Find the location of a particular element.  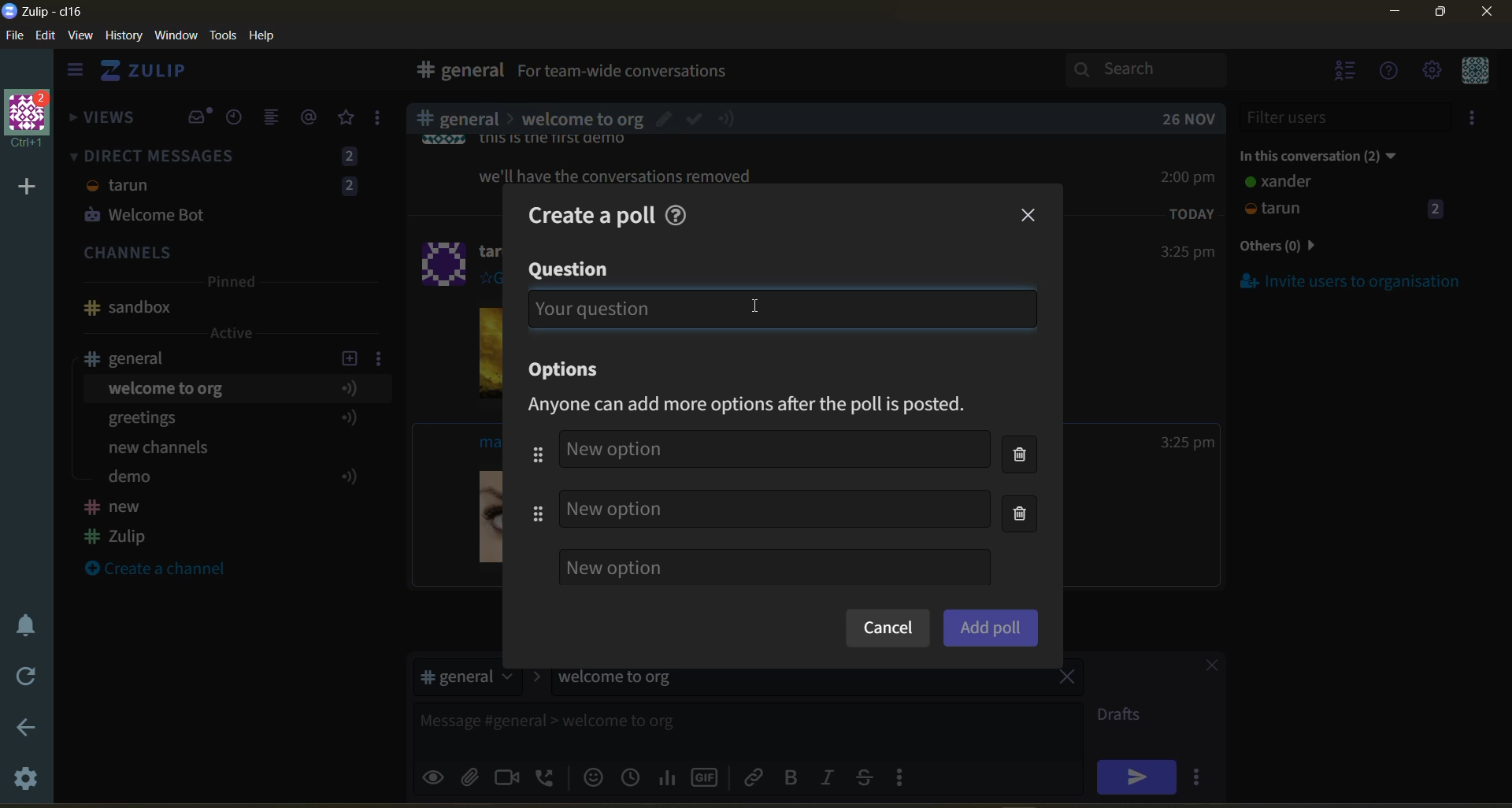

add new topic is located at coordinates (348, 356).